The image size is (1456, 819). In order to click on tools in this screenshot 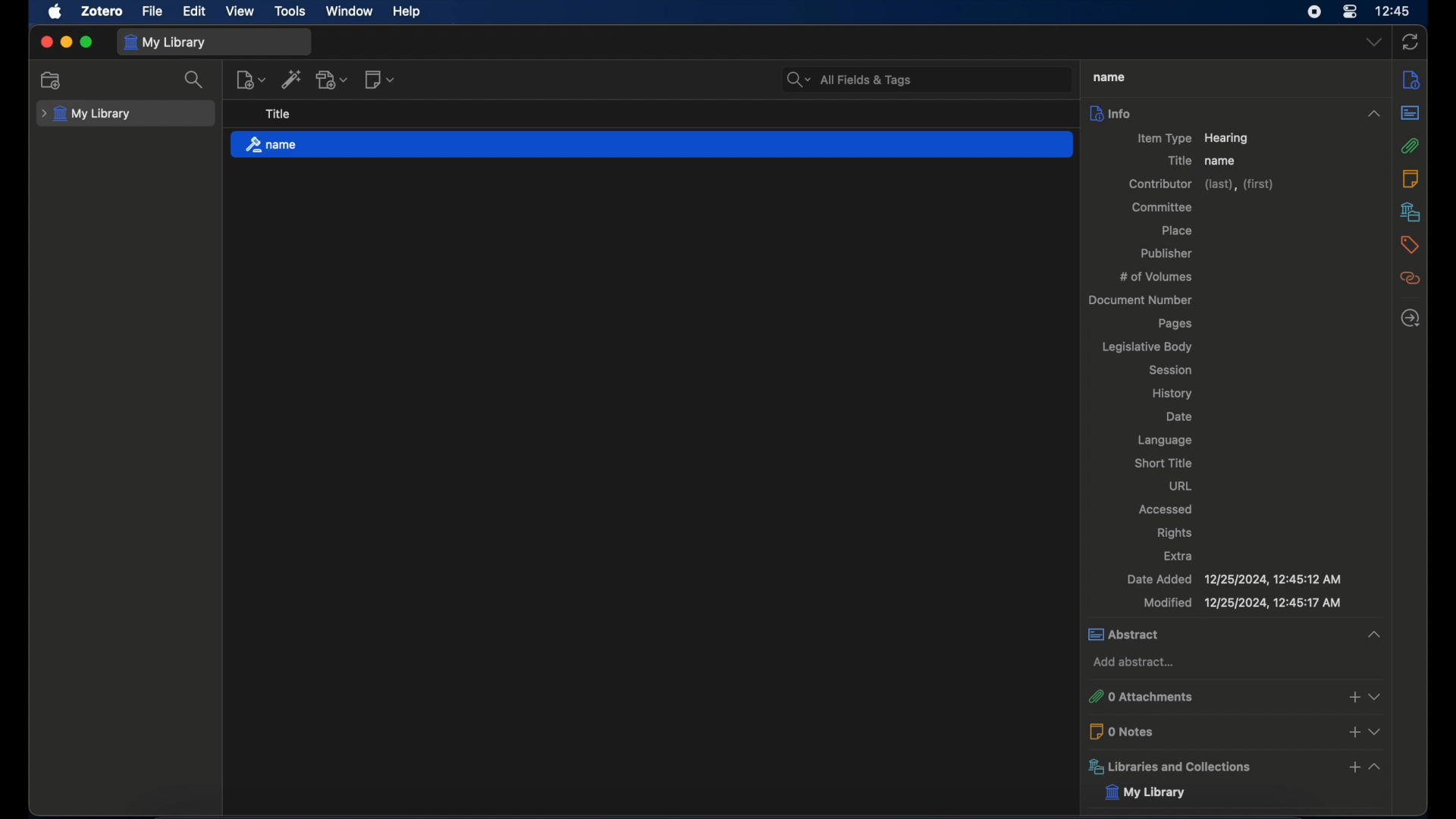, I will do `click(290, 11)`.